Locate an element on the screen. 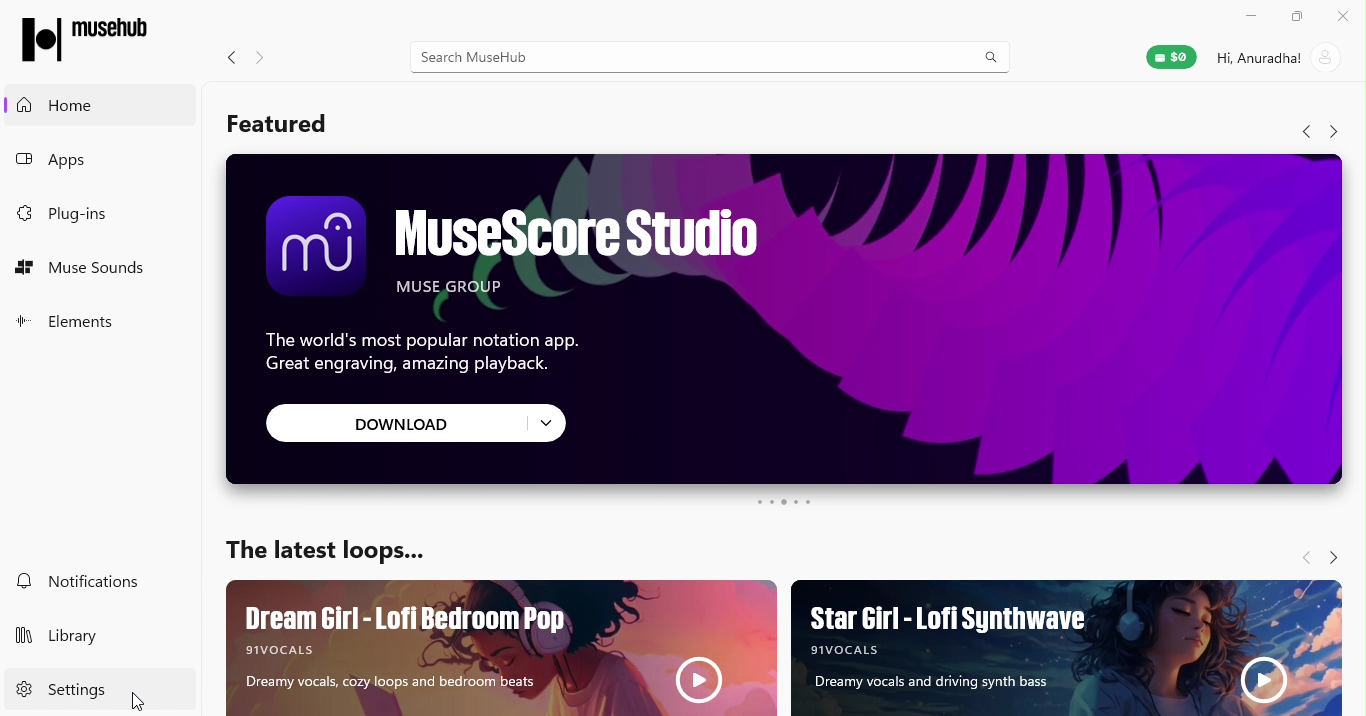  Navigate back is located at coordinates (1303, 554).